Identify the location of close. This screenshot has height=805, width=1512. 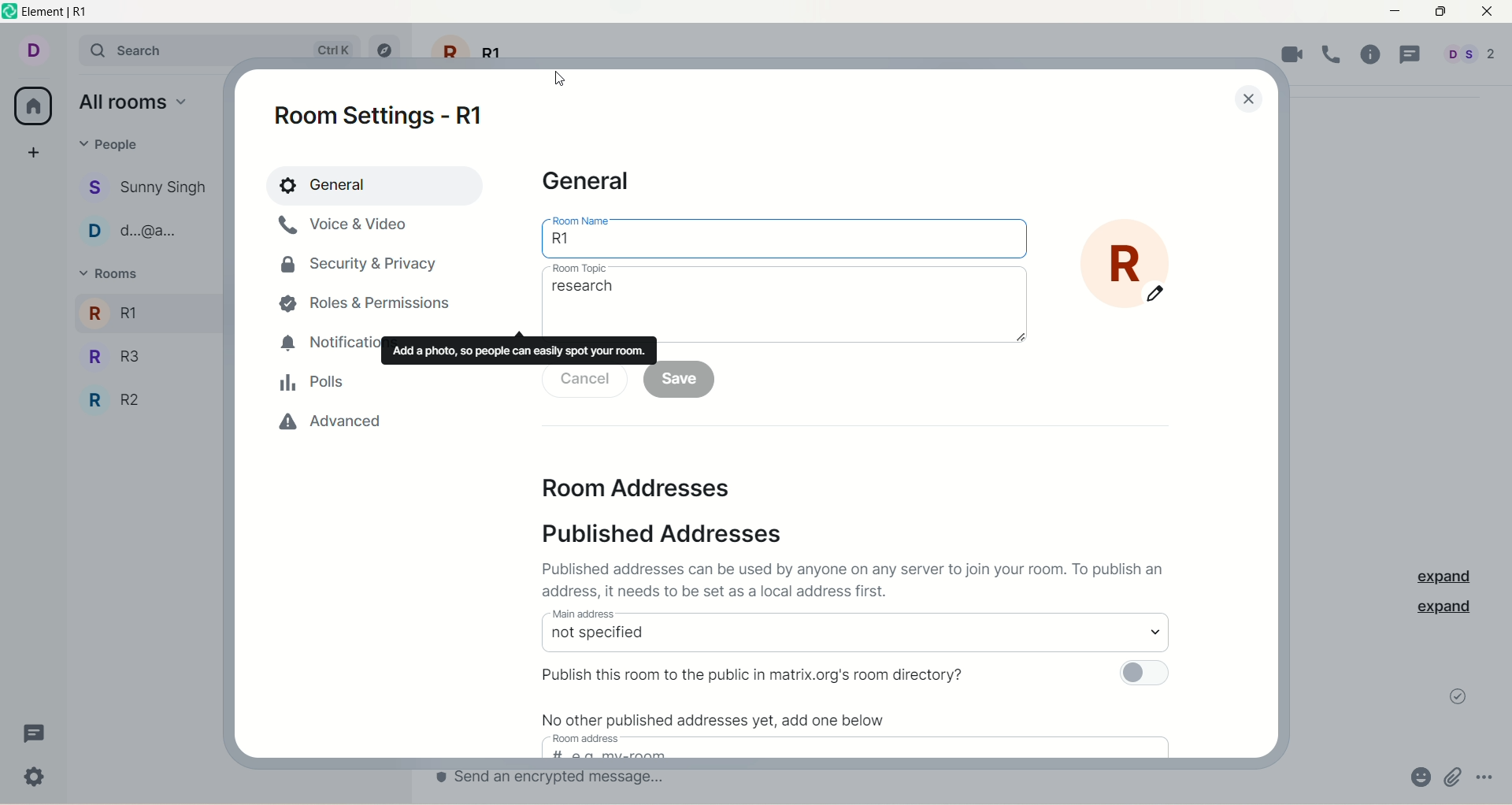
(1250, 97).